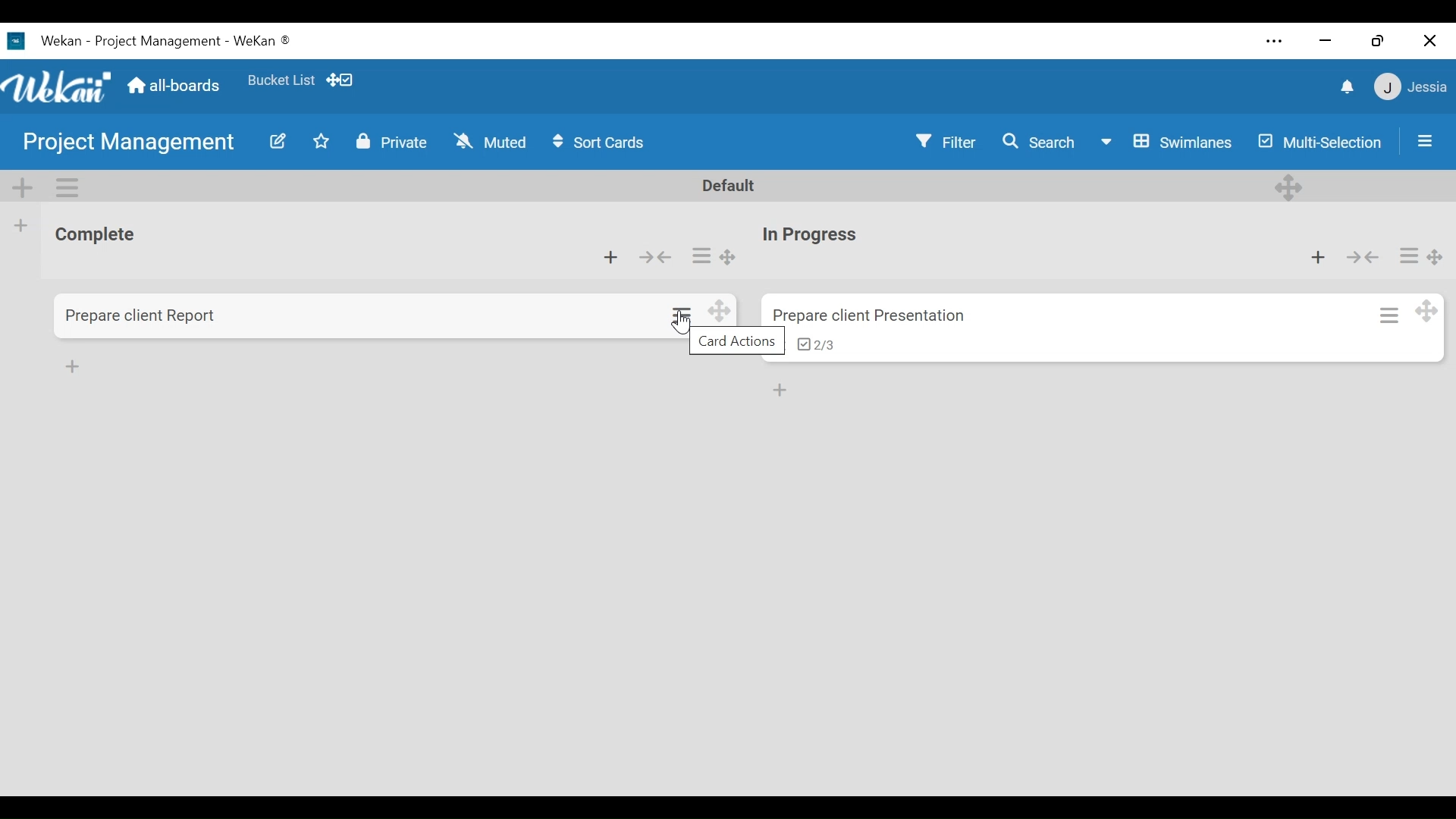 The width and height of the screenshot is (1456, 819). Describe the element at coordinates (1321, 141) in the screenshot. I see `Multi-Selection` at that location.